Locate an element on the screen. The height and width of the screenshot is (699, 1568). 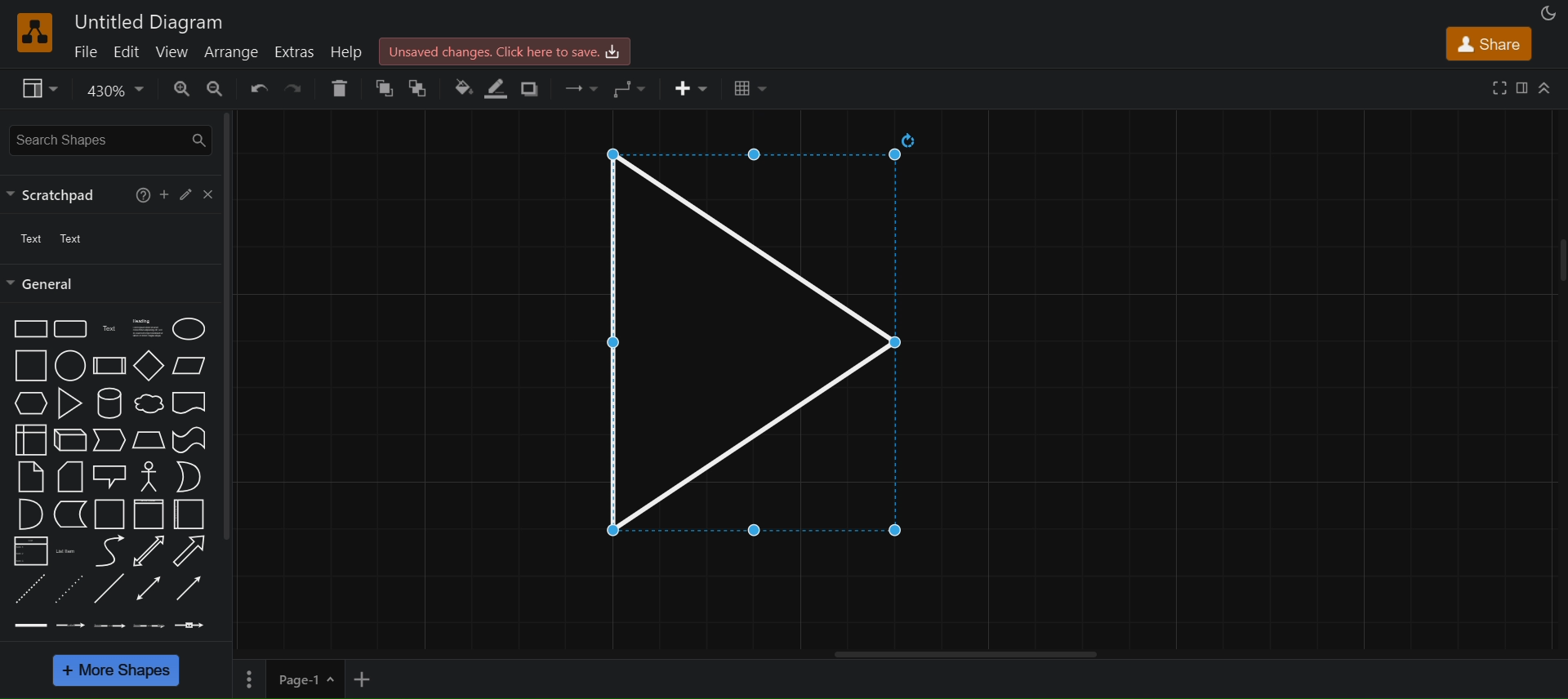
To back is located at coordinates (421, 88).